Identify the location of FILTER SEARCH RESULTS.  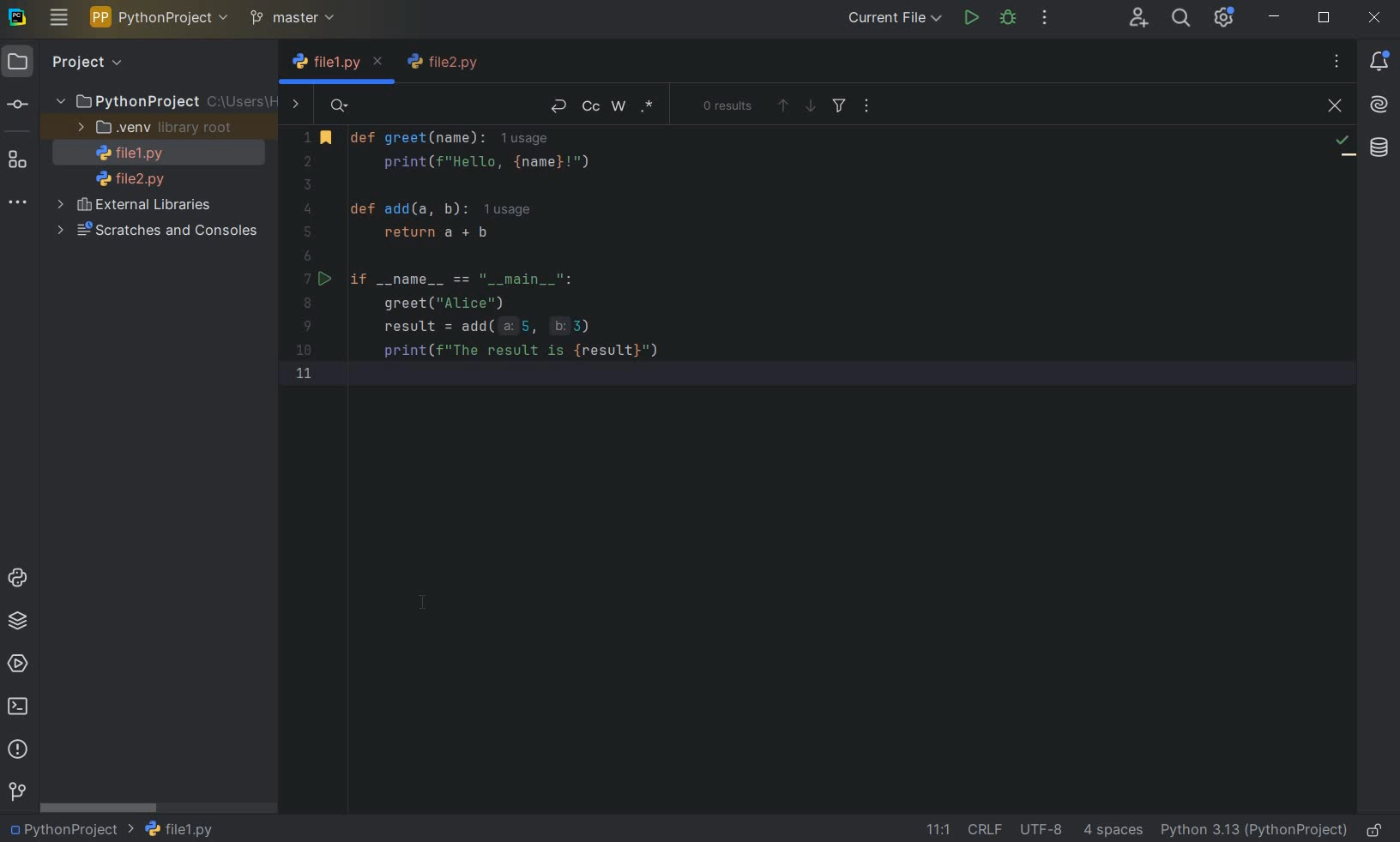
(838, 109).